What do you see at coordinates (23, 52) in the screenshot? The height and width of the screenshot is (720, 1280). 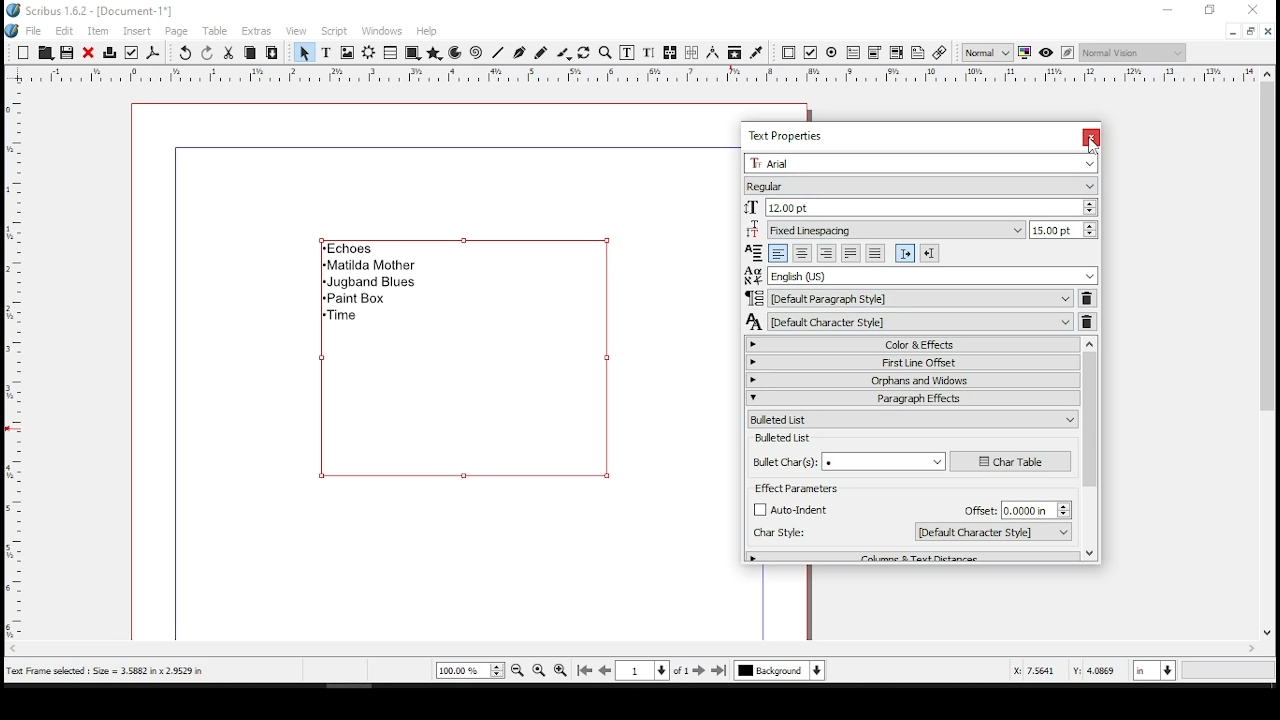 I see `new` at bounding box center [23, 52].